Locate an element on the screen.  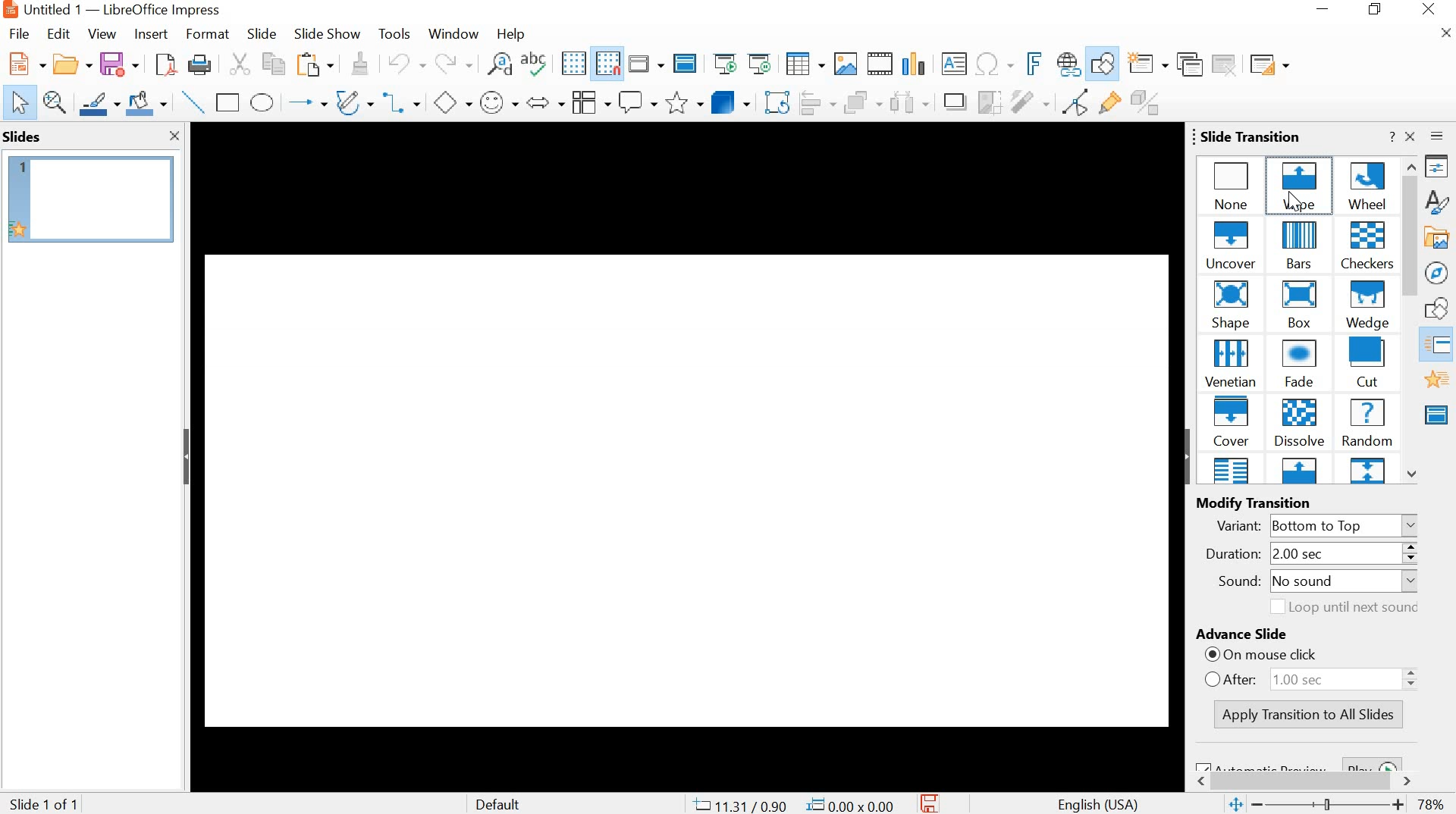
Insert chart is located at coordinates (913, 62).